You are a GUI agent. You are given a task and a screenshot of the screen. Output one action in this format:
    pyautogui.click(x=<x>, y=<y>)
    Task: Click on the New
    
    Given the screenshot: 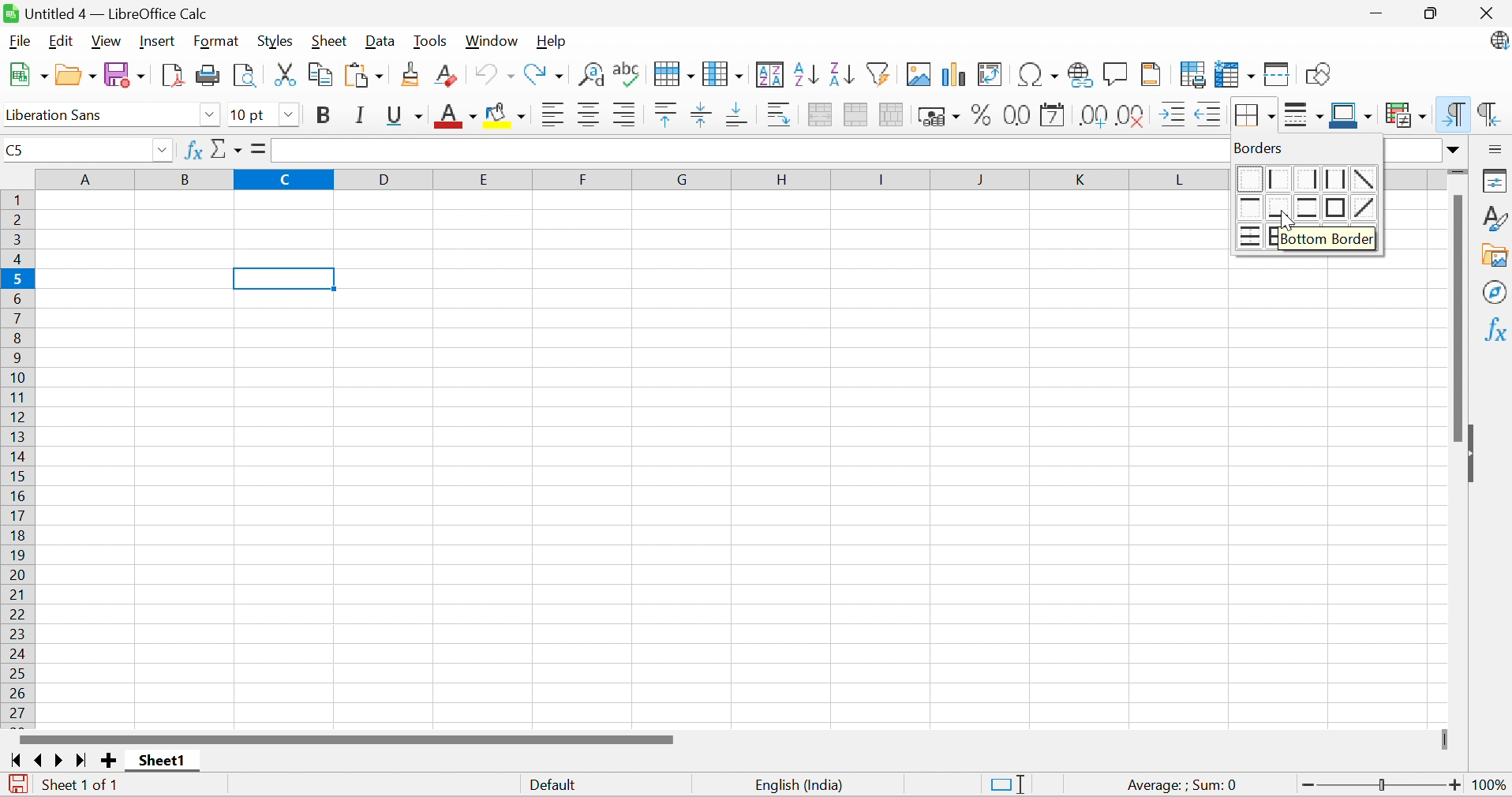 What is the action you would take?
    pyautogui.click(x=28, y=75)
    